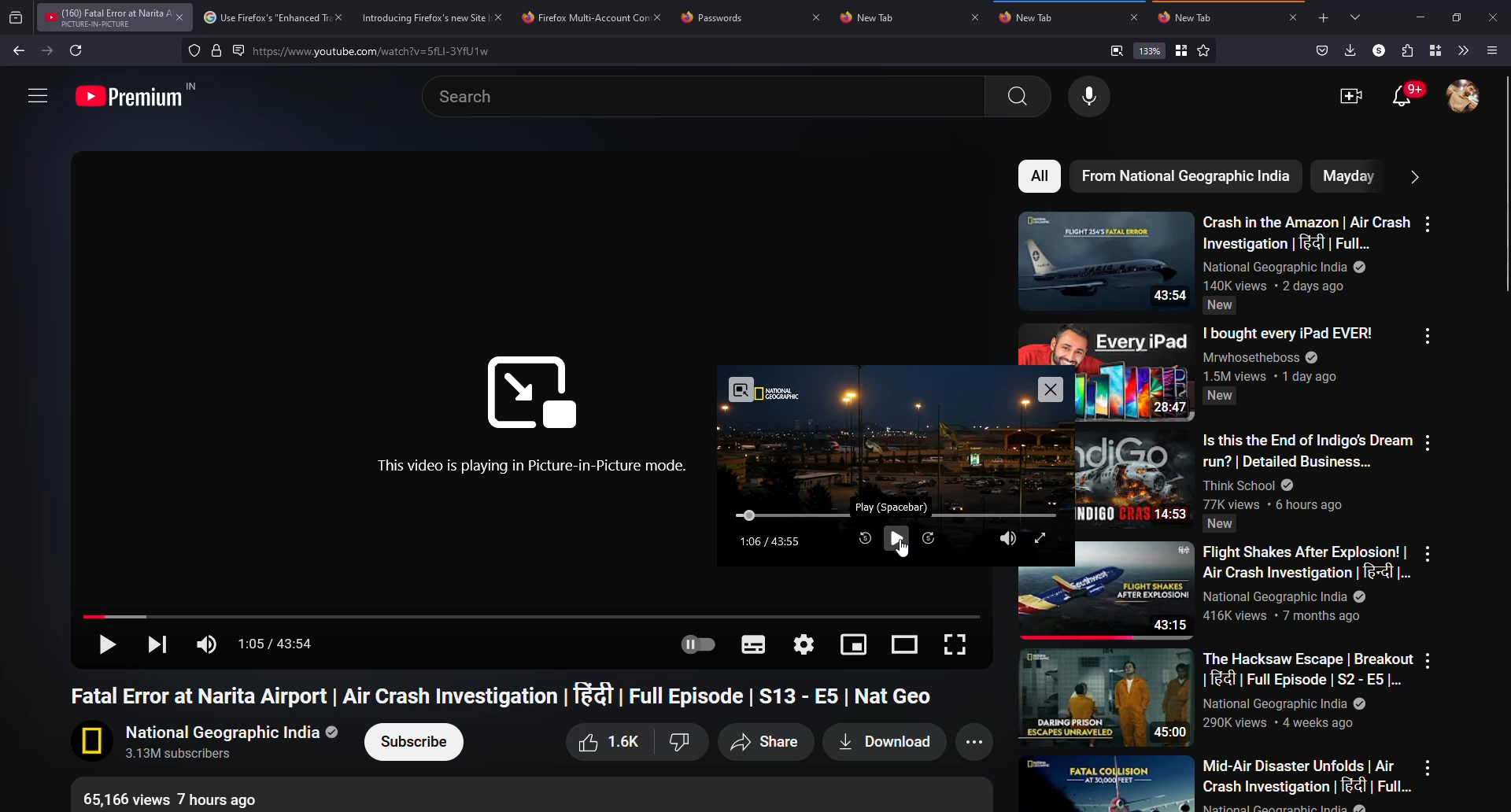  Describe the element at coordinates (679, 742) in the screenshot. I see `Dislike` at that location.